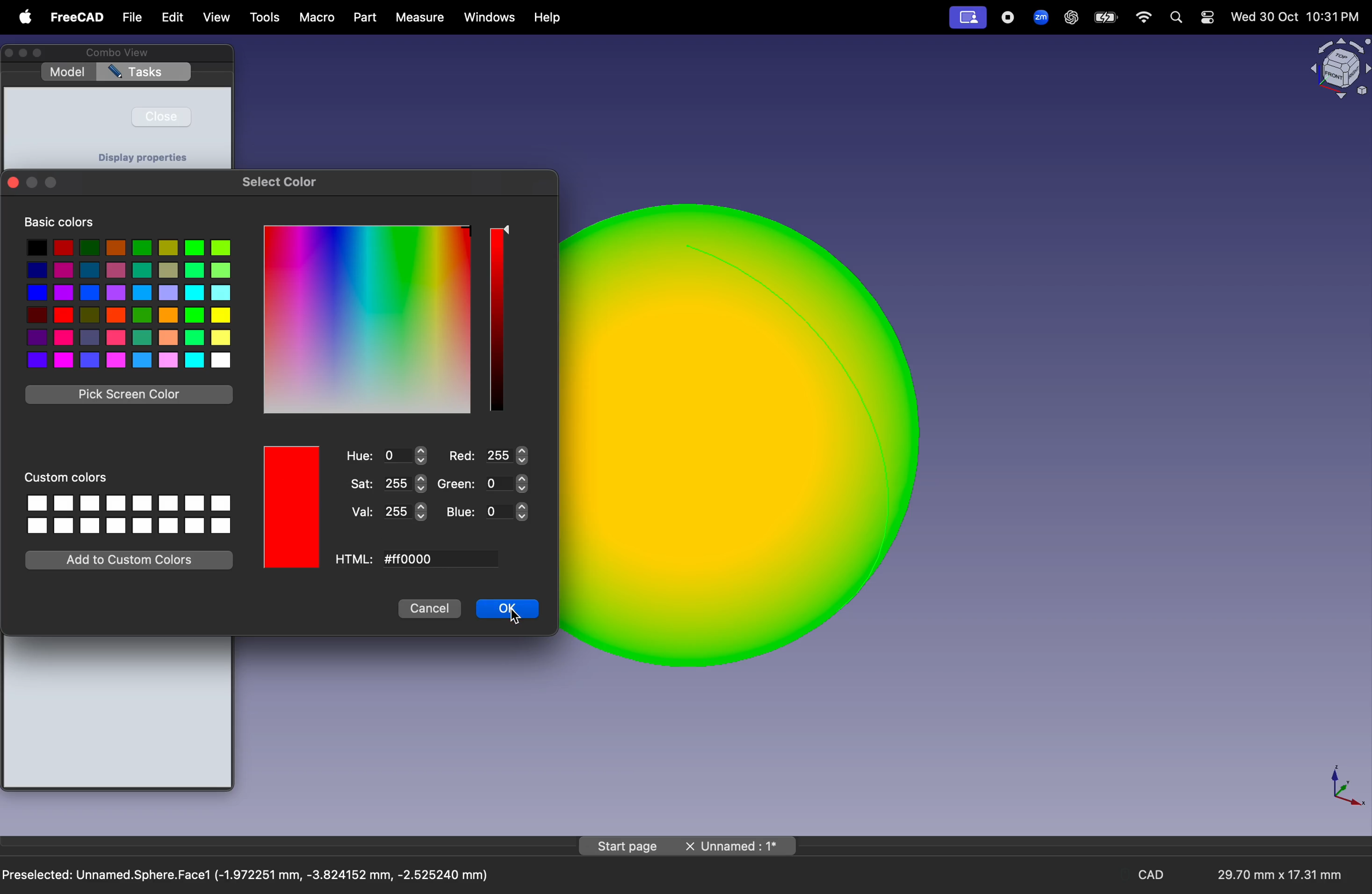 This screenshot has width=1372, height=894. What do you see at coordinates (293, 507) in the screenshot?
I see `red color` at bounding box center [293, 507].